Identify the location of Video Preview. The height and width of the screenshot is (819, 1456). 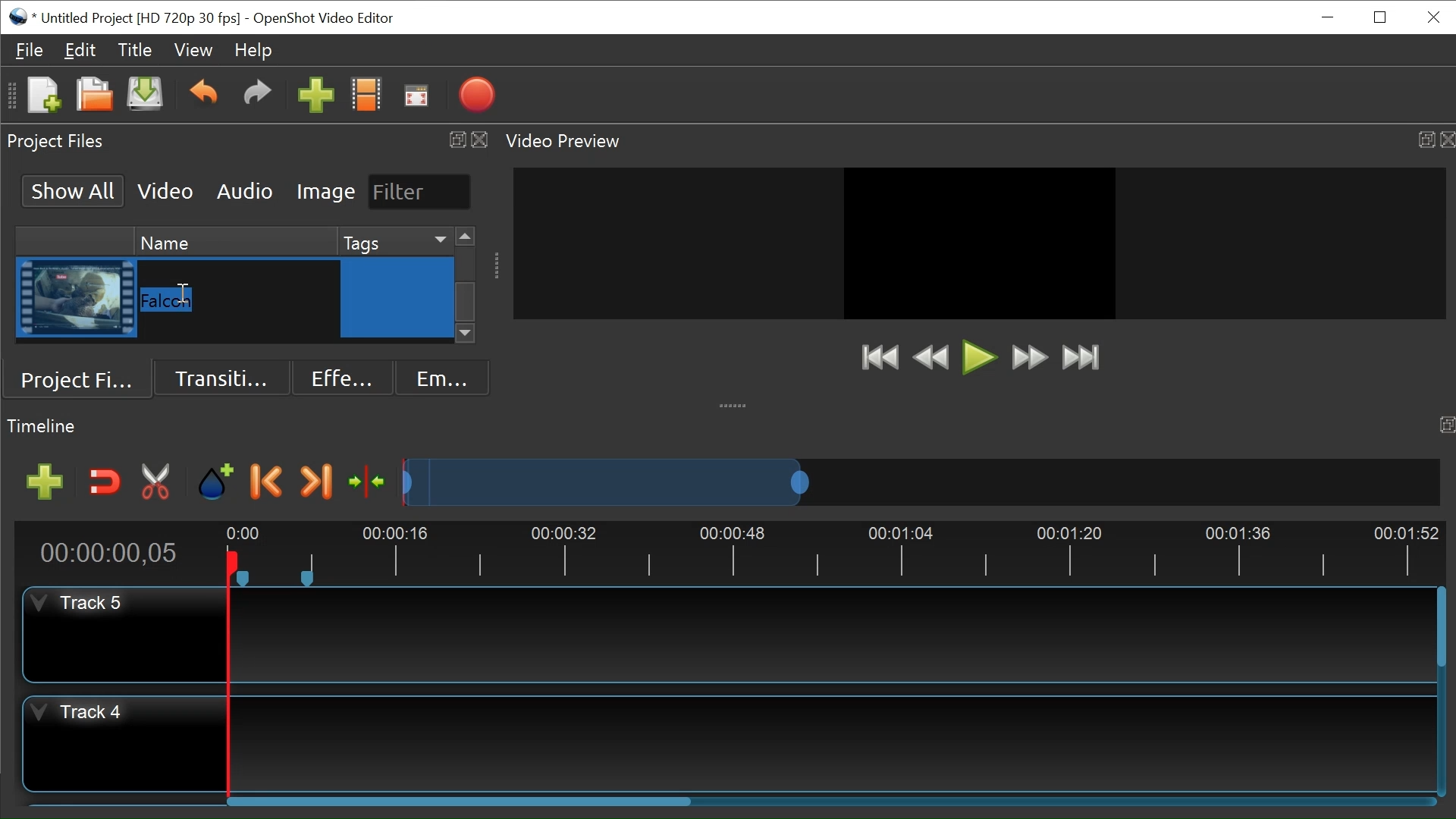
(976, 141).